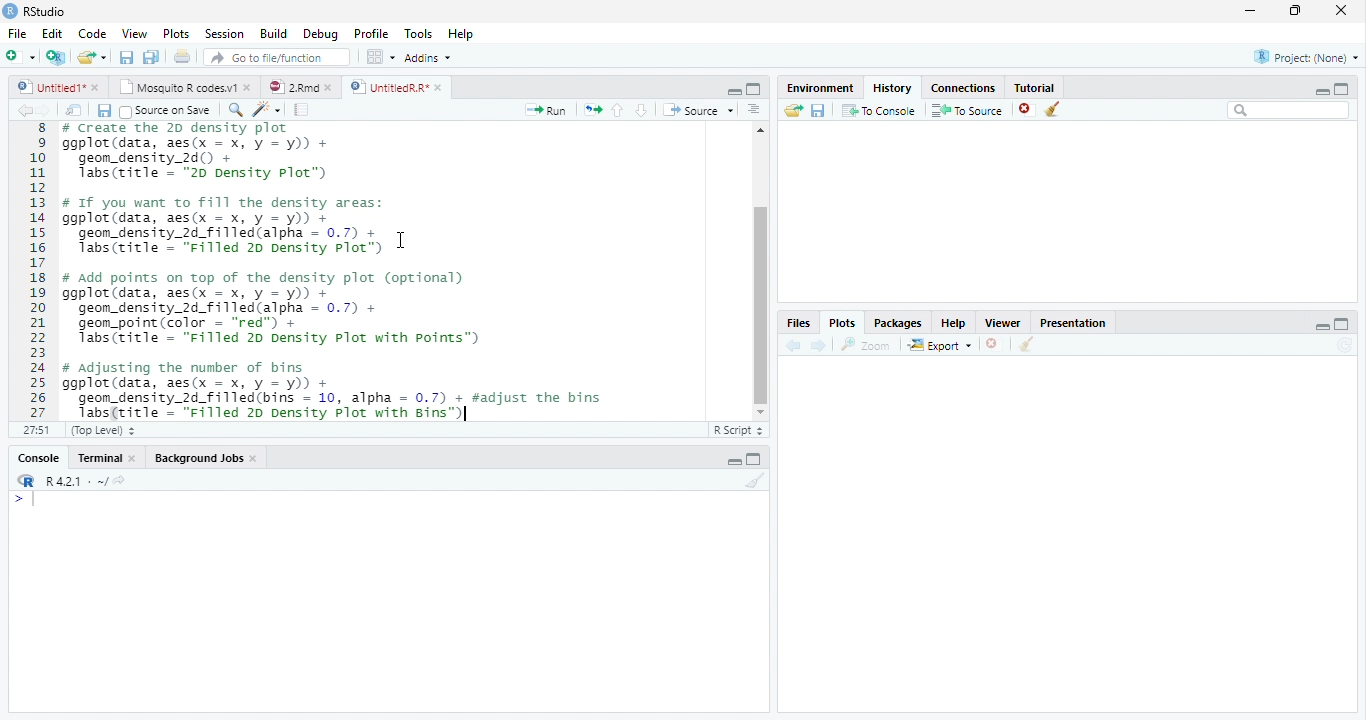  Describe the element at coordinates (379, 57) in the screenshot. I see `wrokspace pan` at that location.